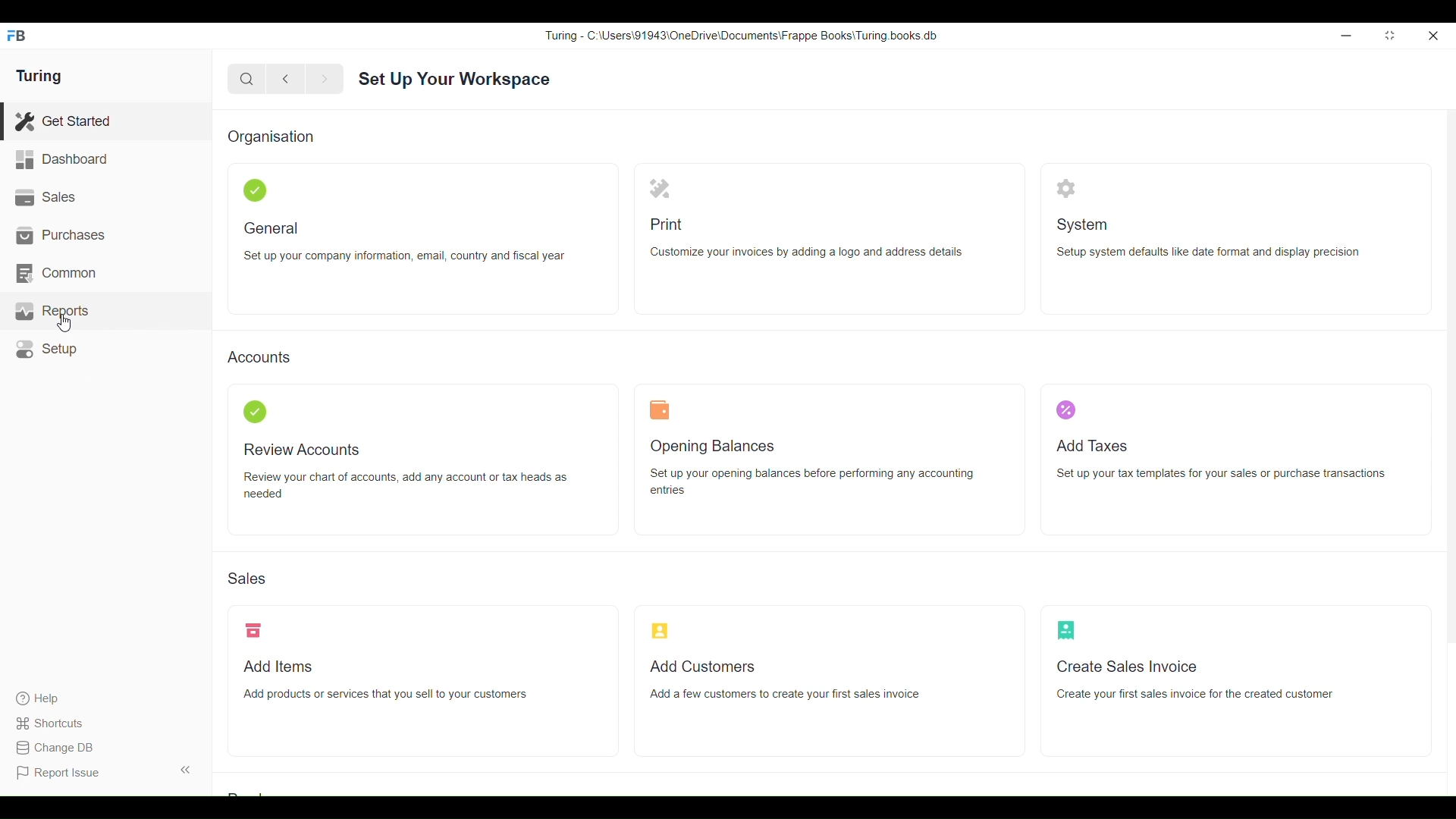 The width and height of the screenshot is (1456, 819). What do you see at coordinates (38, 77) in the screenshot?
I see `Turing` at bounding box center [38, 77].